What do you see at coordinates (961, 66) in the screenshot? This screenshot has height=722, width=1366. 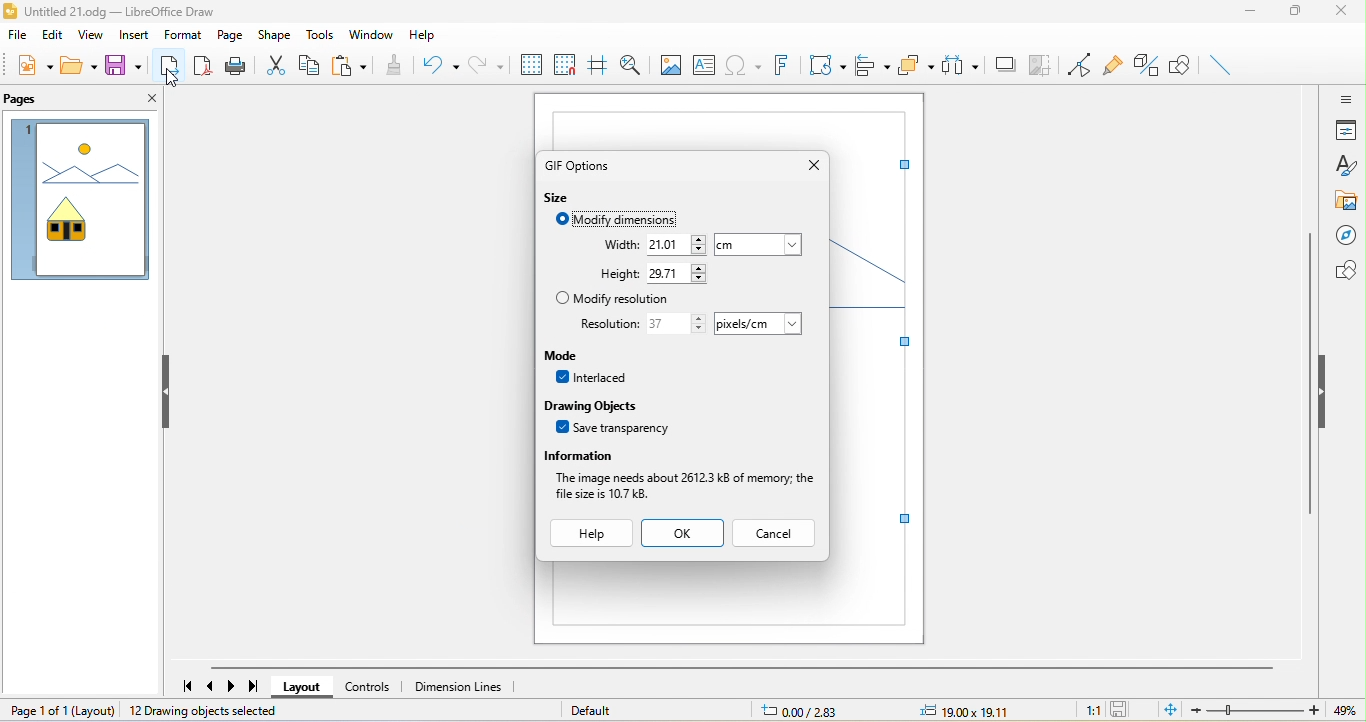 I see `select atleast three objects to distribute` at bounding box center [961, 66].